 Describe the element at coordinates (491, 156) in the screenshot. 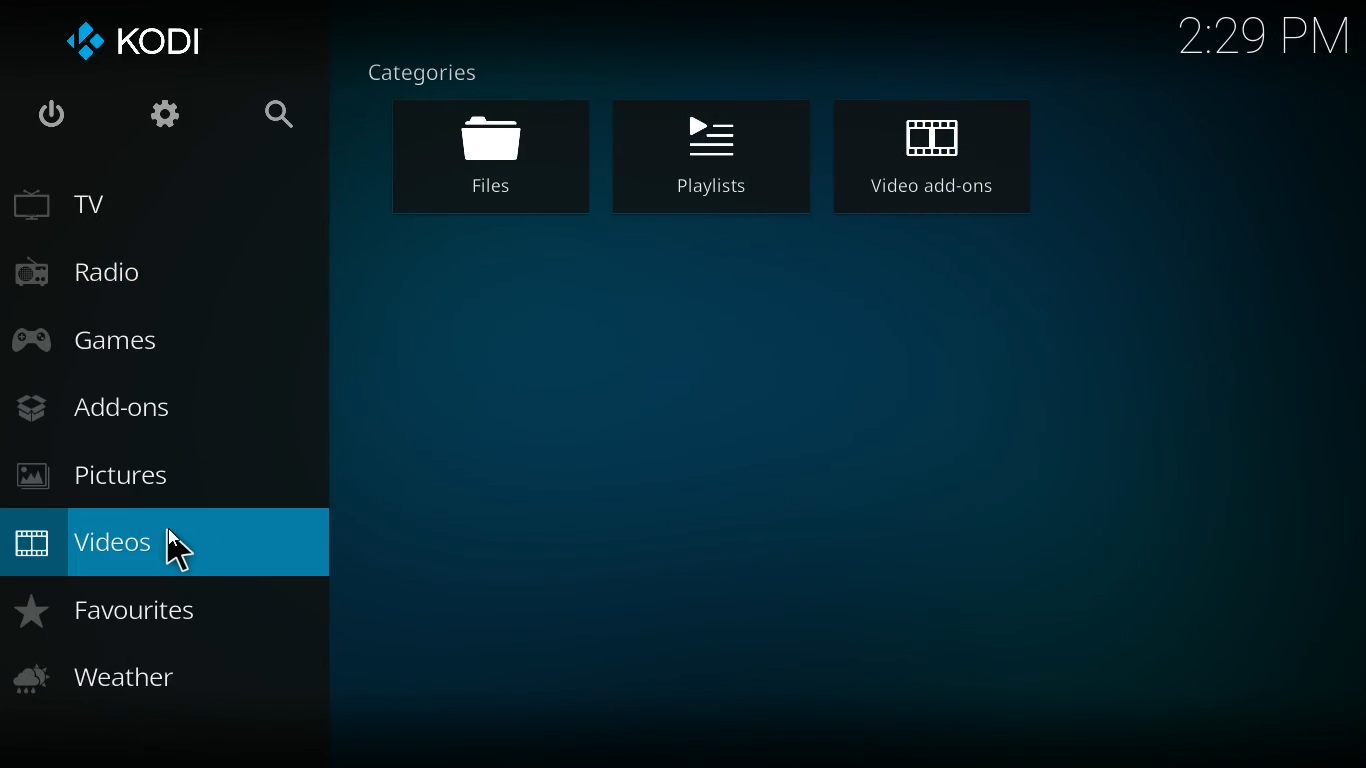

I see `files` at that location.